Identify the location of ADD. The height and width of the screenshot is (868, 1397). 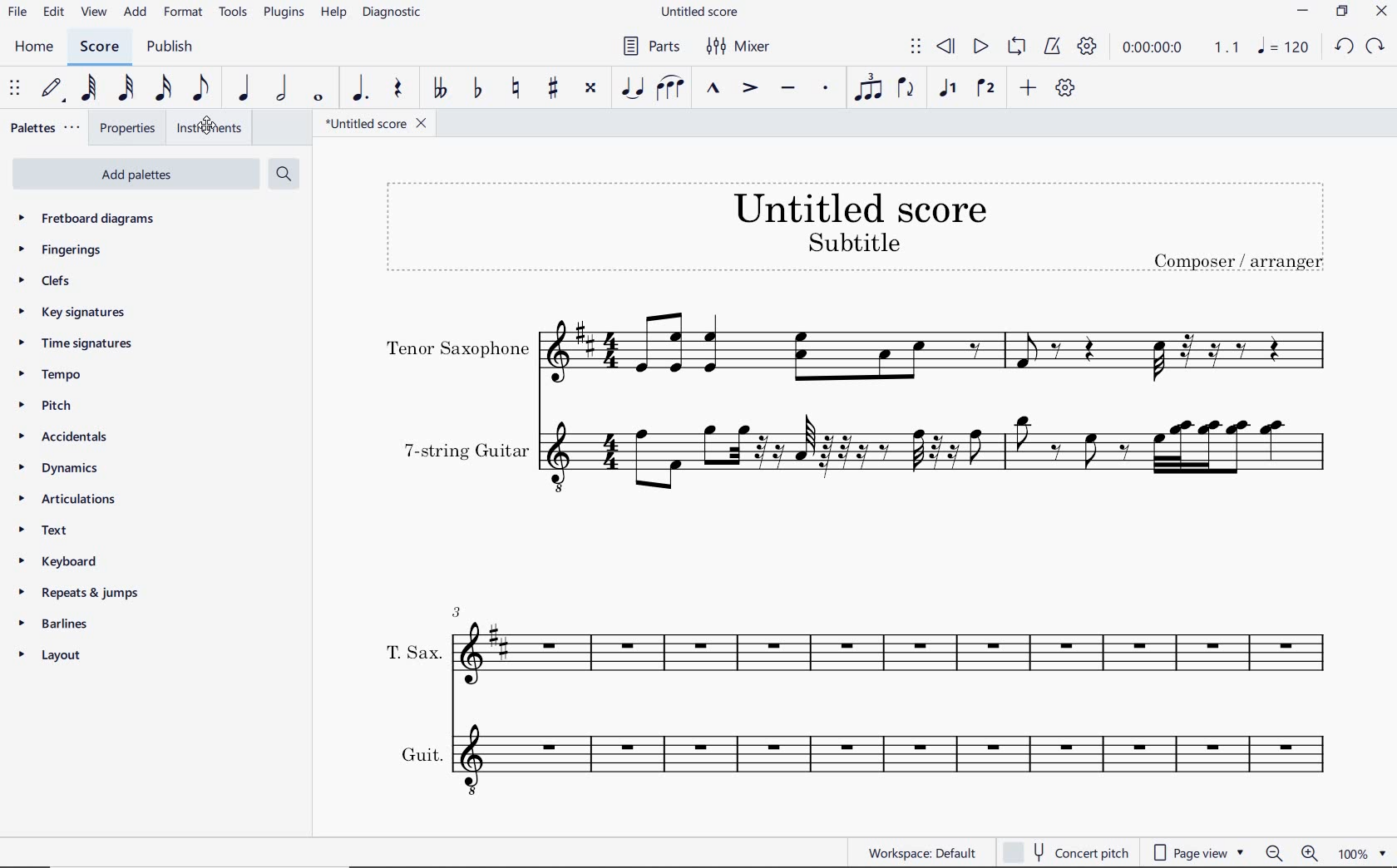
(1029, 89).